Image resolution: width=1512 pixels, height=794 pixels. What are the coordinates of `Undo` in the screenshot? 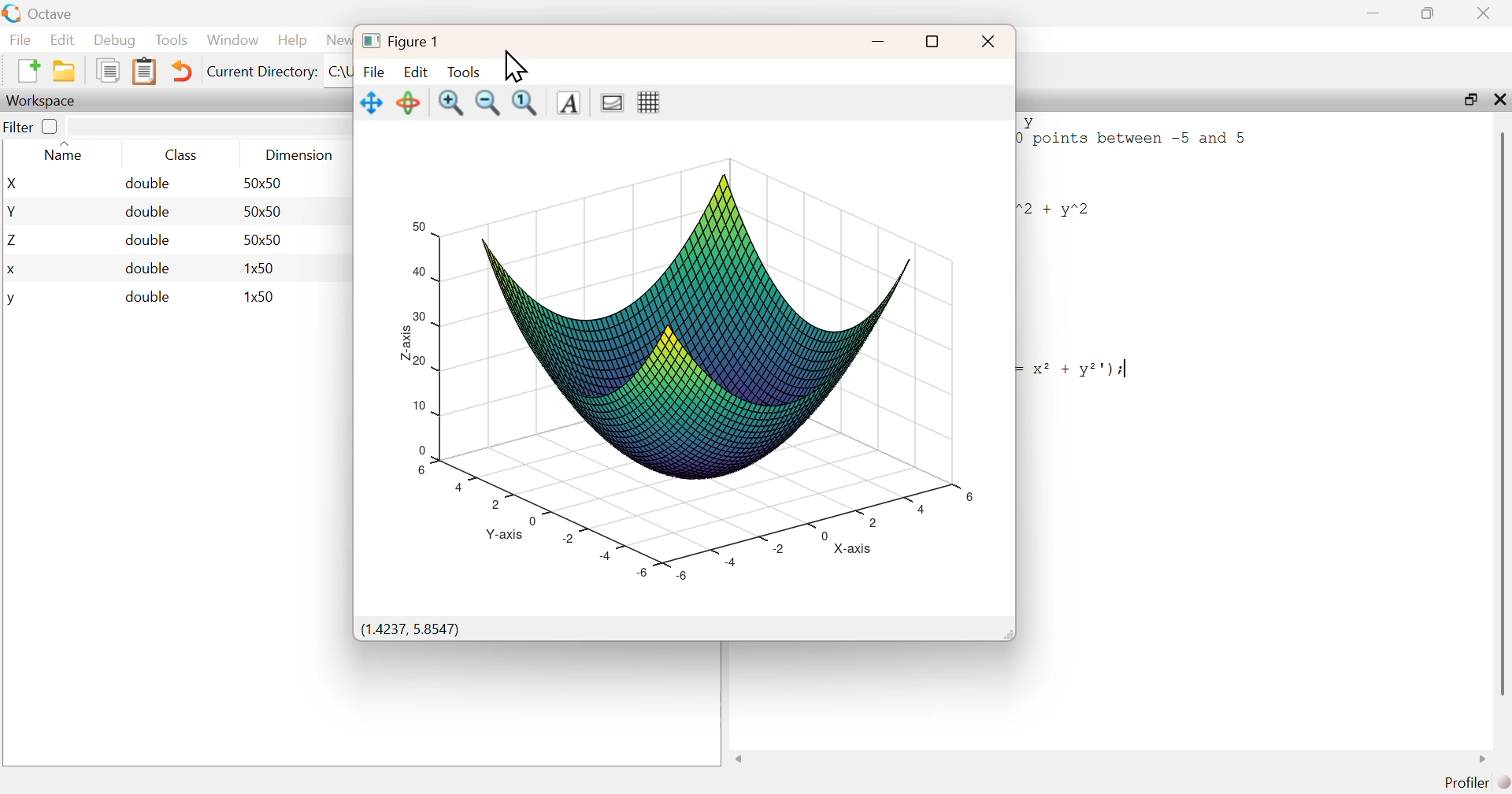 It's located at (180, 71).